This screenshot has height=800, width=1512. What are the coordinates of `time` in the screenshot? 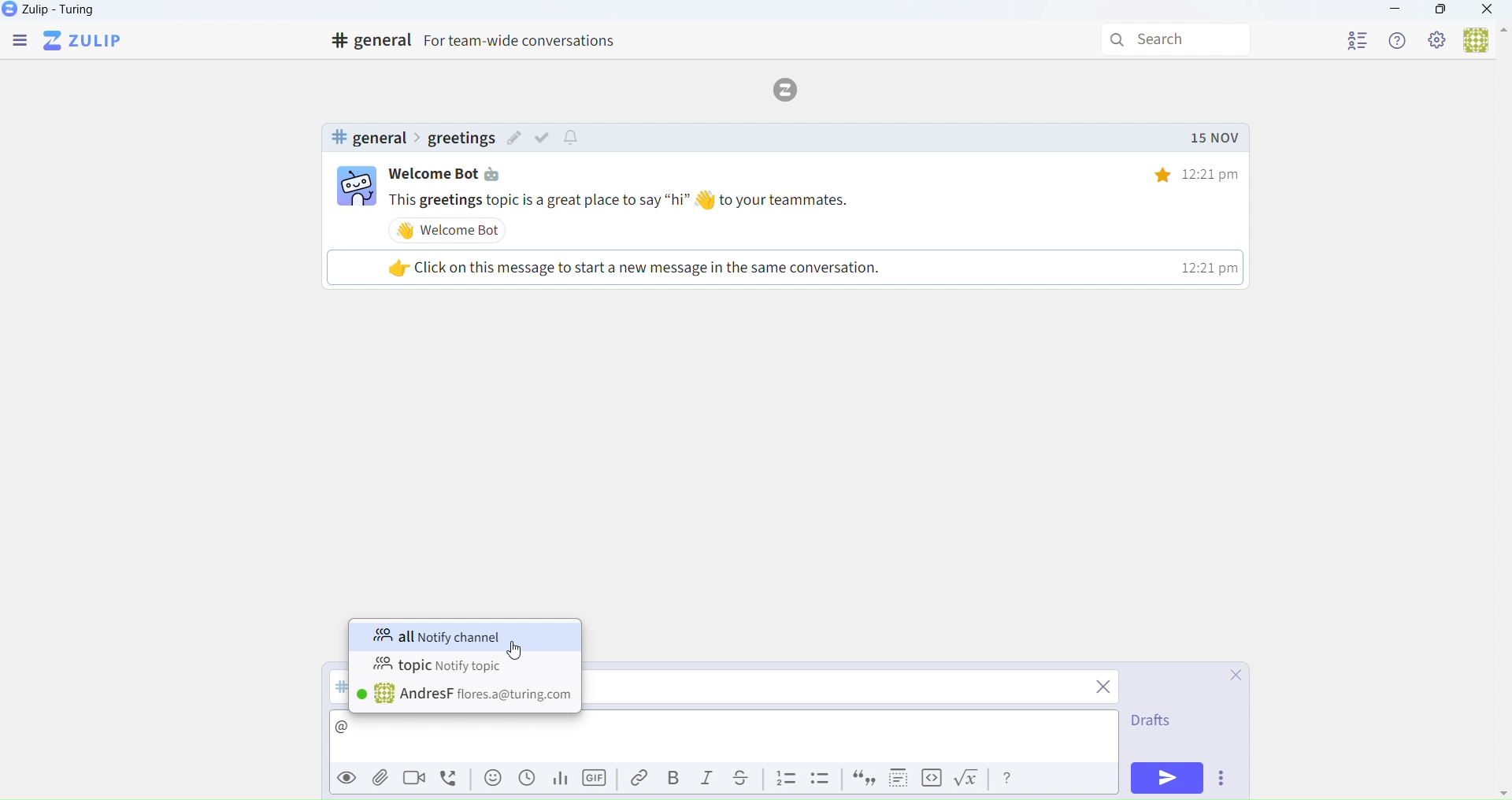 It's located at (1185, 174).